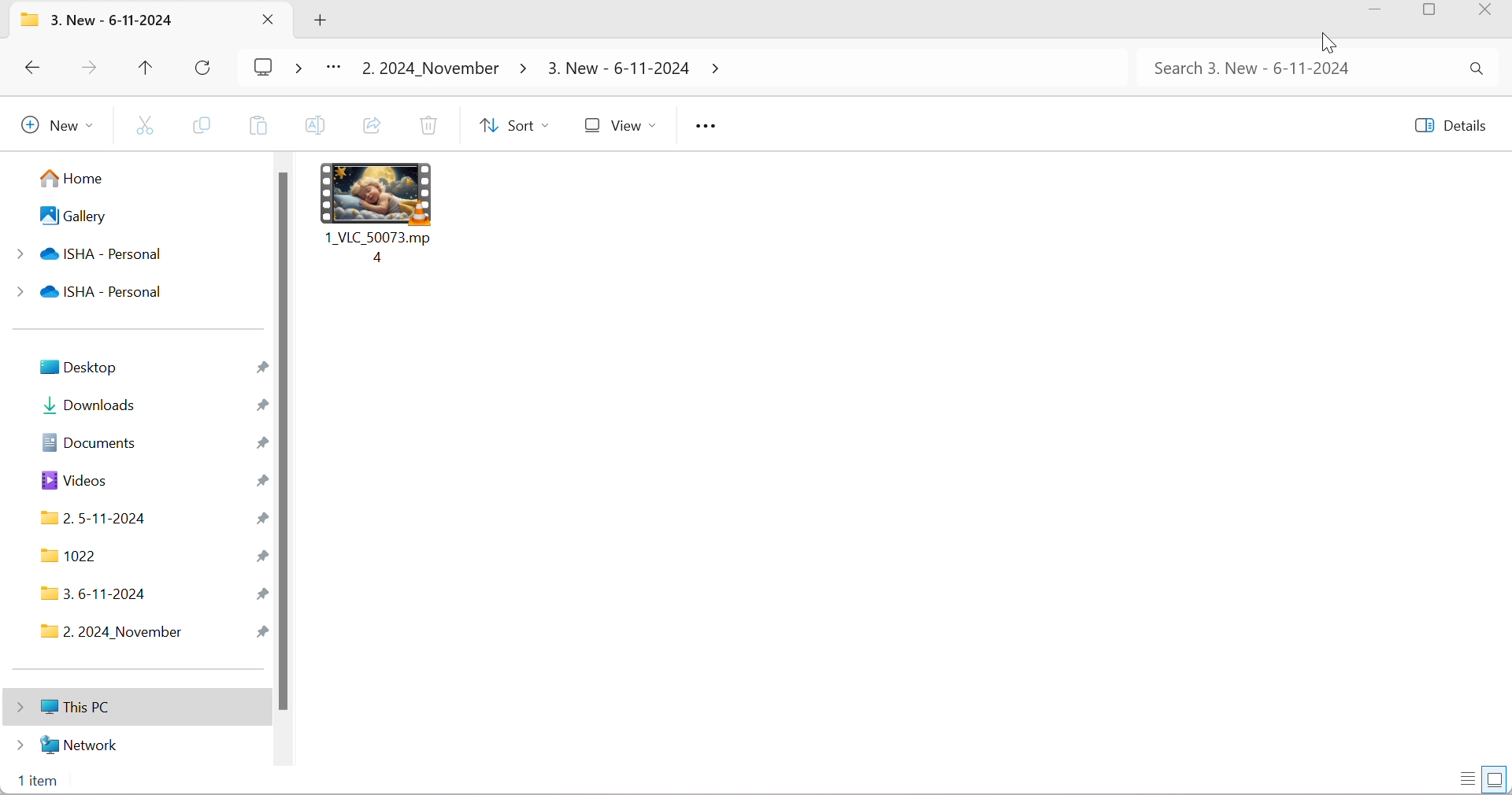 This screenshot has width=1512, height=795. I want to click on Search 3. New - 6-11-2024, so click(1321, 72).